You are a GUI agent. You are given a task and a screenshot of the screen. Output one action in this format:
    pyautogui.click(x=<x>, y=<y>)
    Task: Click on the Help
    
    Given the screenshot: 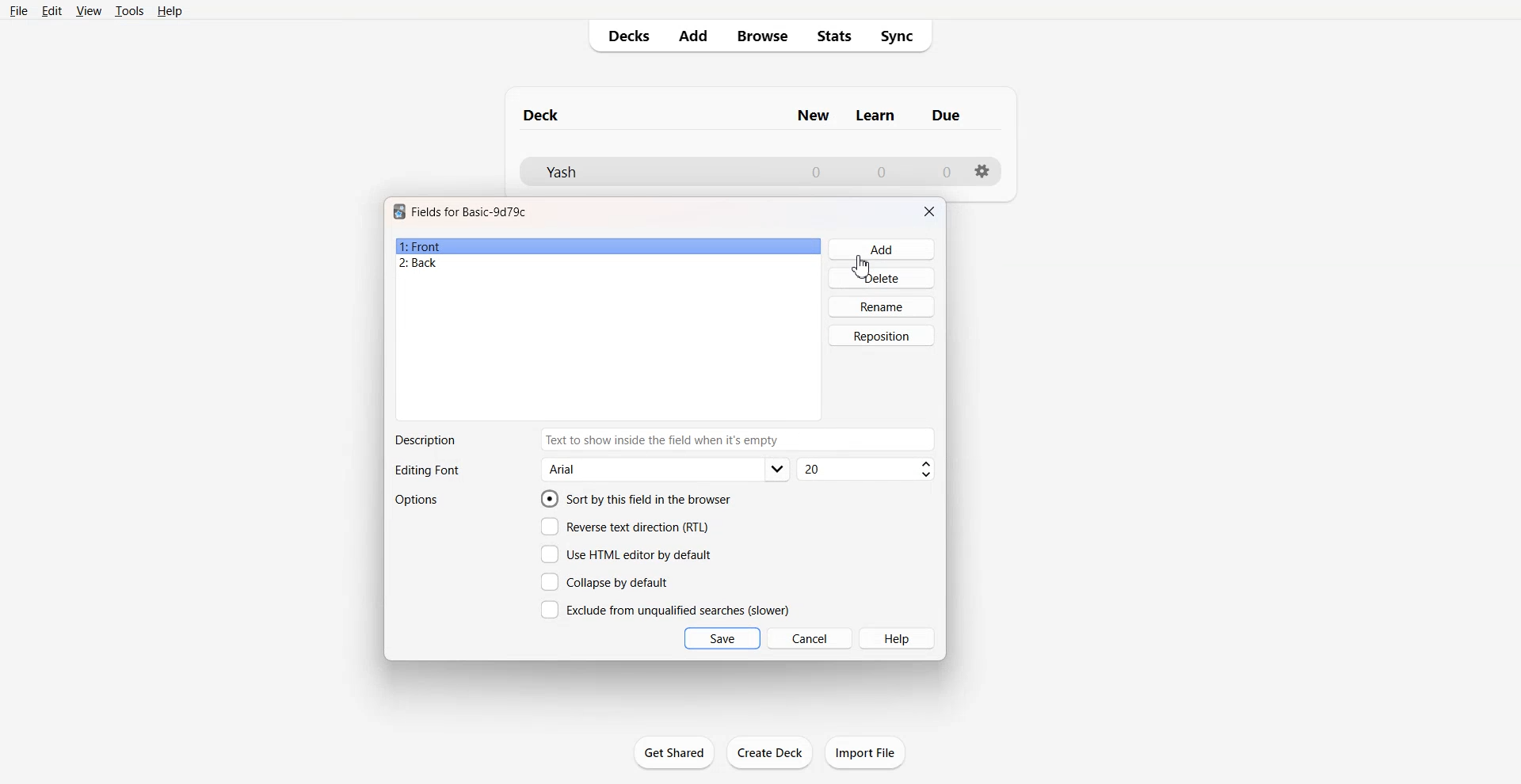 What is the action you would take?
    pyautogui.click(x=170, y=11)
    